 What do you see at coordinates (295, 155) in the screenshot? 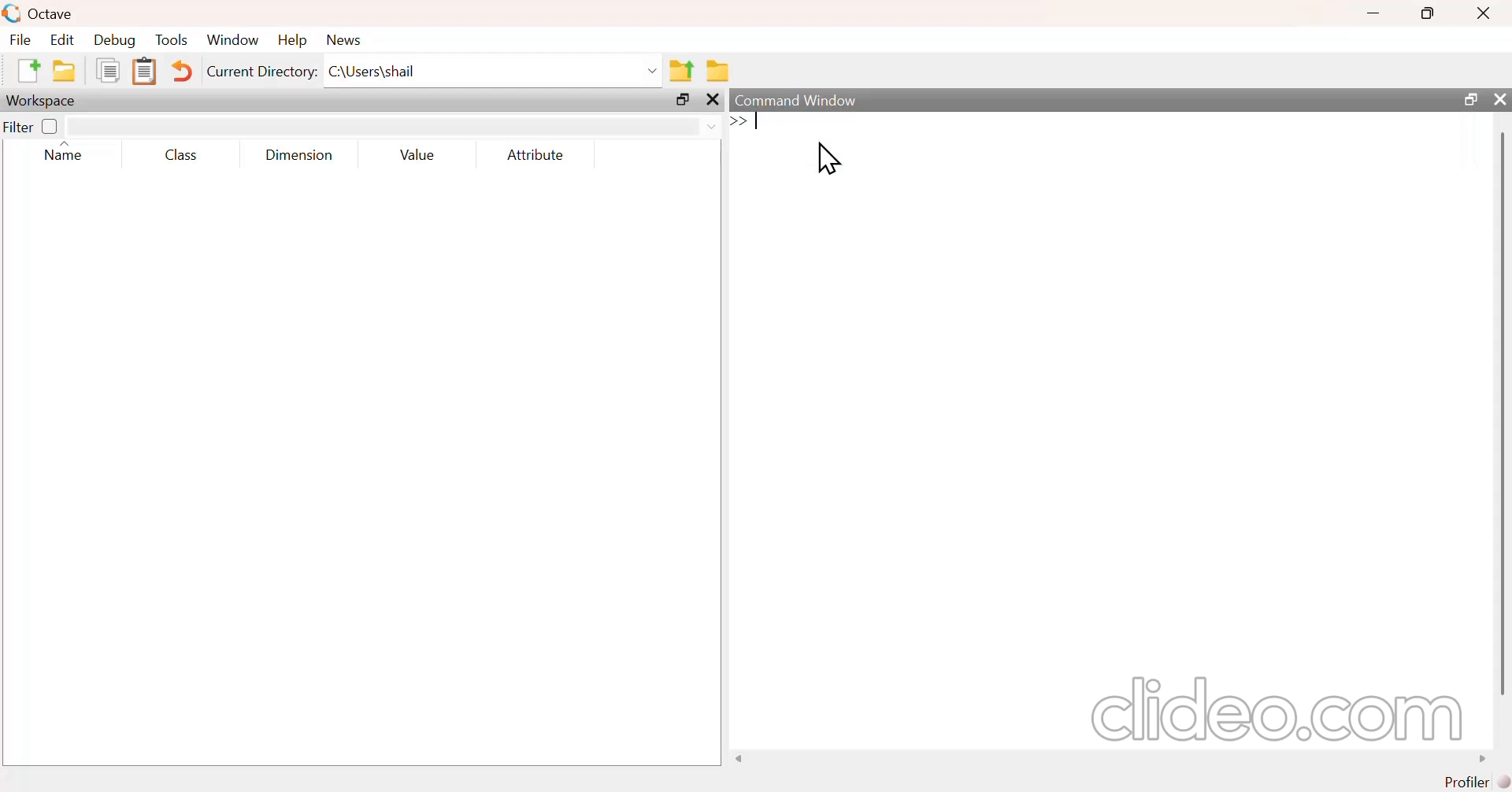
I see `dimension` at bounding box center [295, 155].